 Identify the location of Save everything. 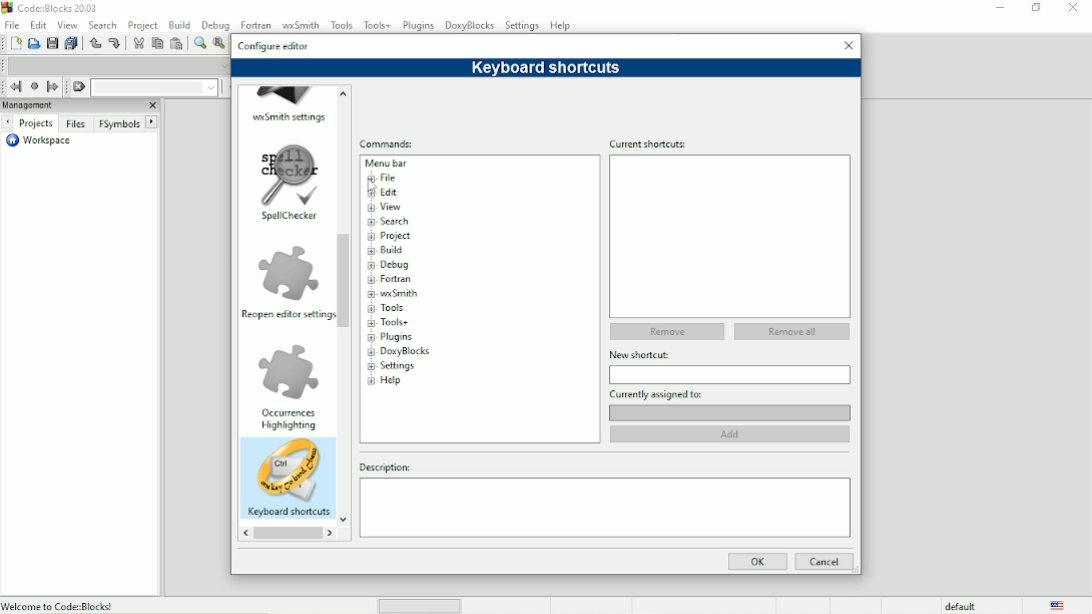
(70, 43).